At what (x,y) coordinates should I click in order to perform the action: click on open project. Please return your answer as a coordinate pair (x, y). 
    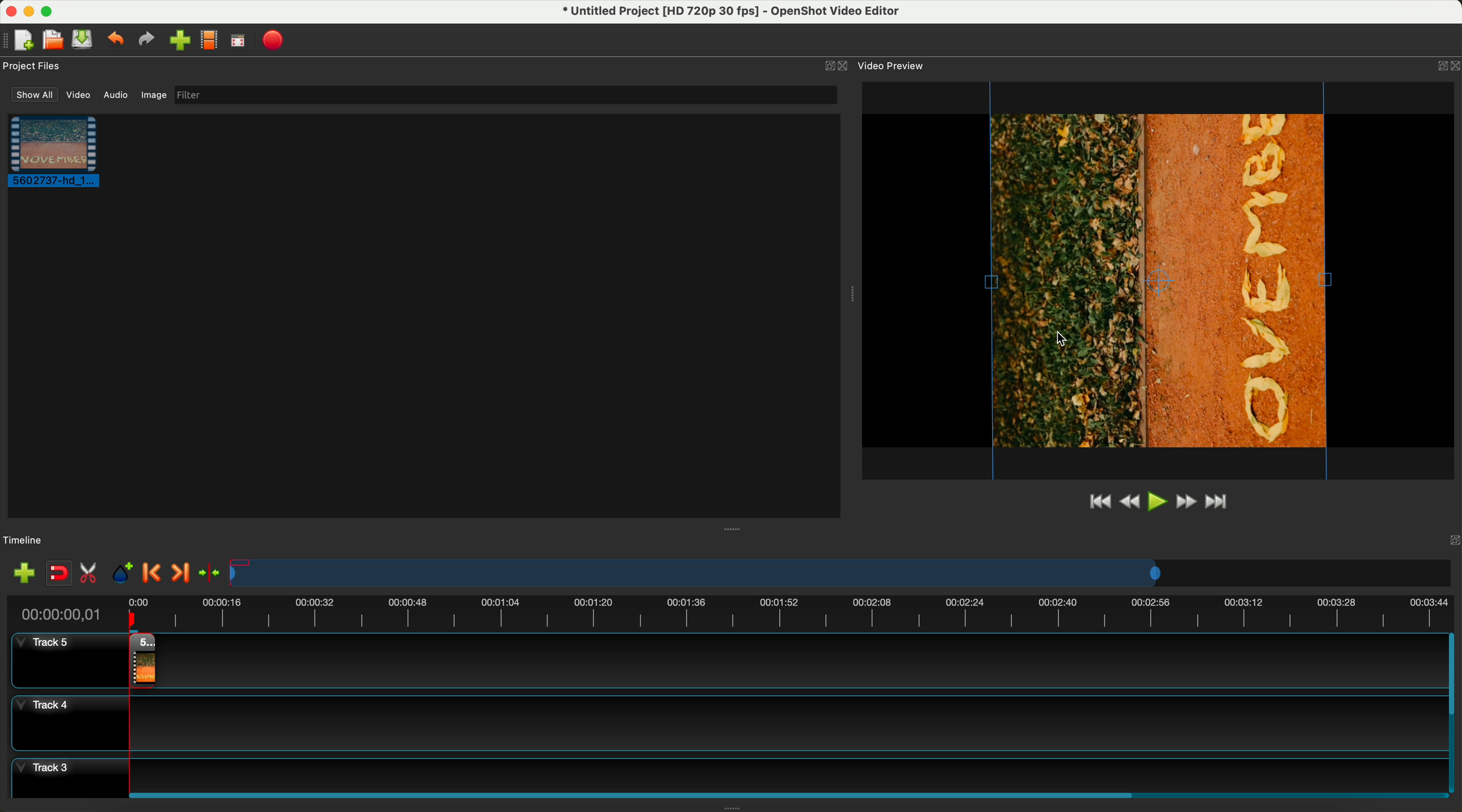
    Looking at the image, I should click on (52, 37).